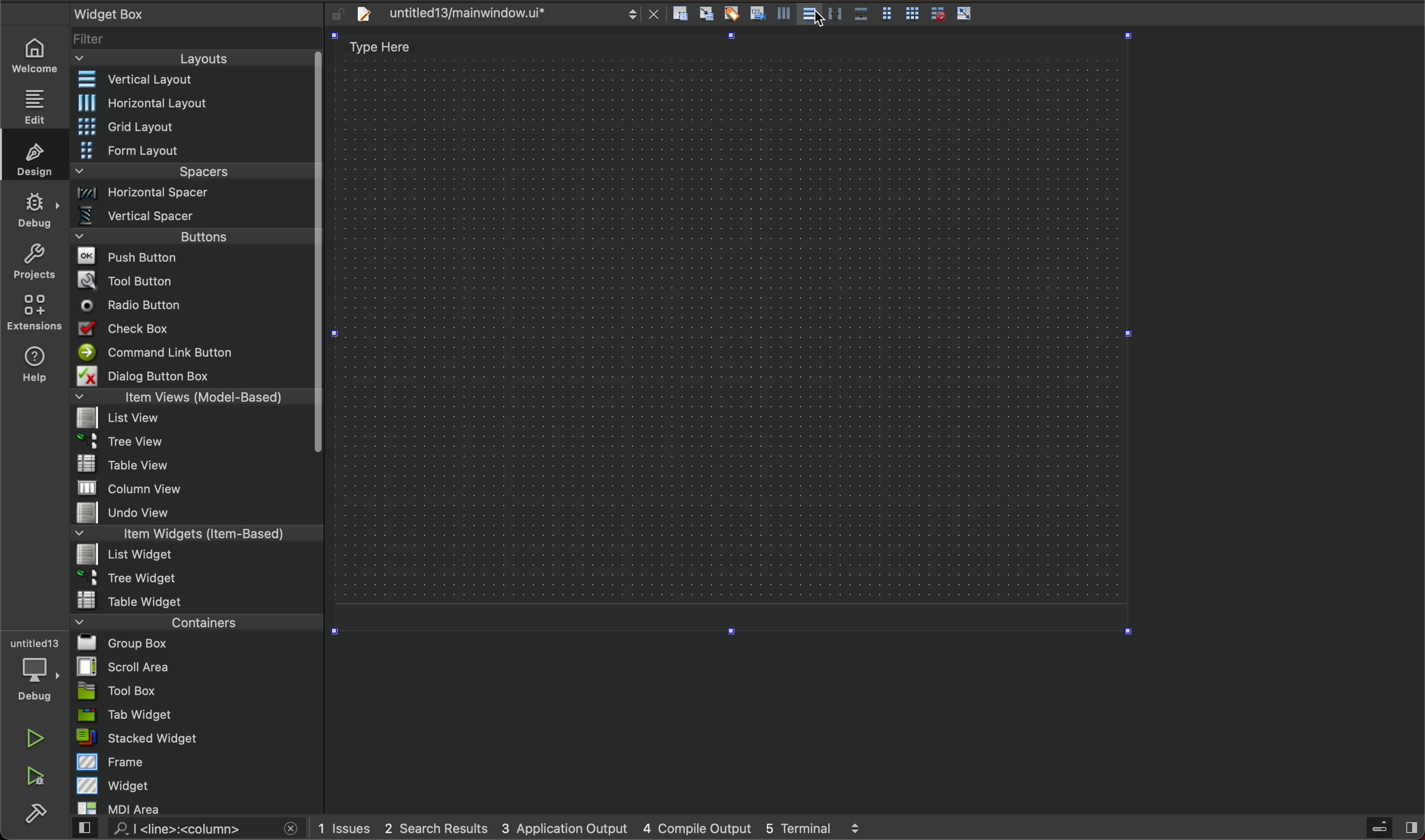 The height and width of the screenshot is (840, 1425). What do you see at coordinates (191, 352) in the screenshot?
I see `command line button` at bounding box center [191, 352].